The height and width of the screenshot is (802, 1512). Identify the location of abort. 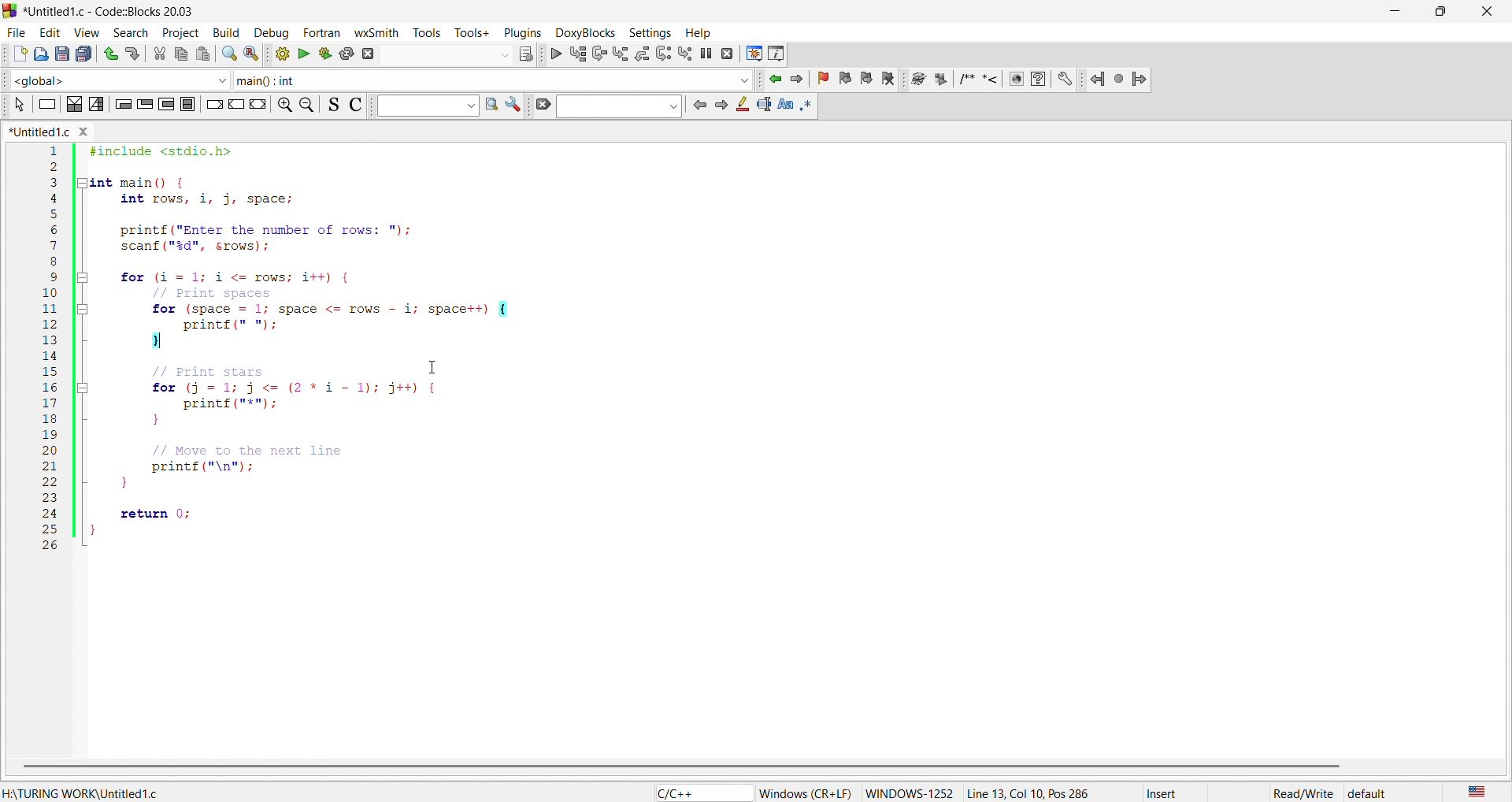
(367, 54).